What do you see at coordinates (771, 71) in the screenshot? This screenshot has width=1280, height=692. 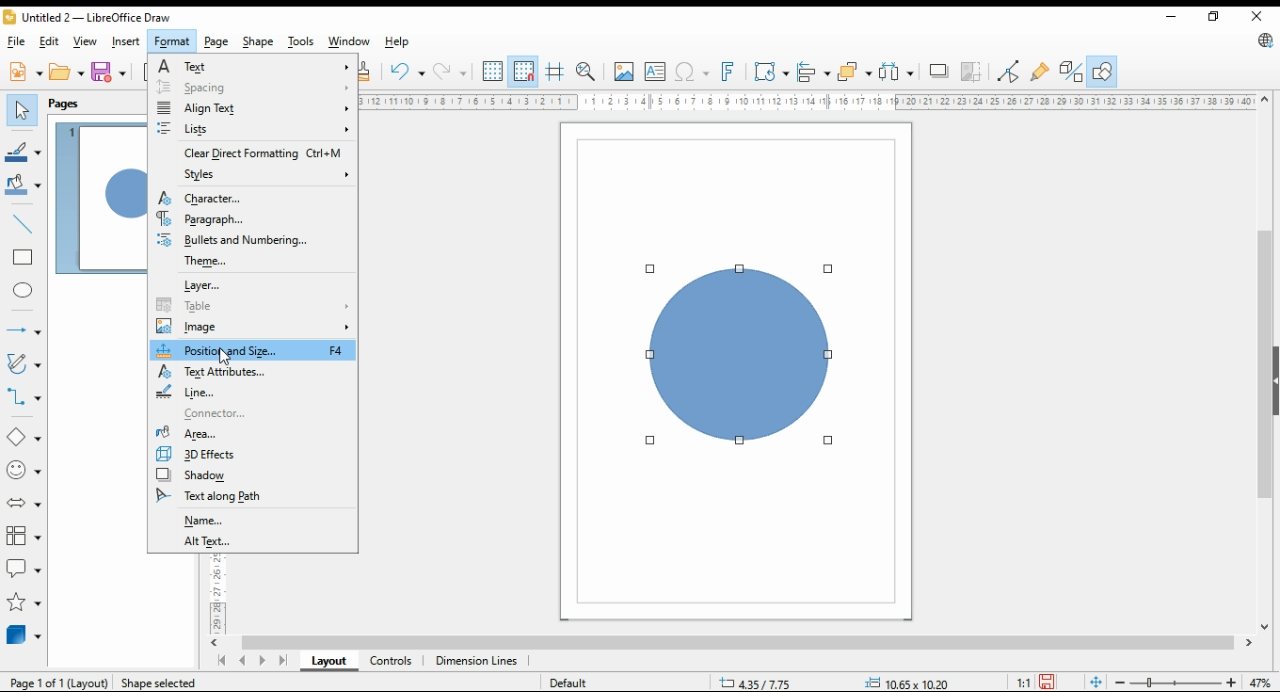 I see `transformations` at bounding box center [771, 71].